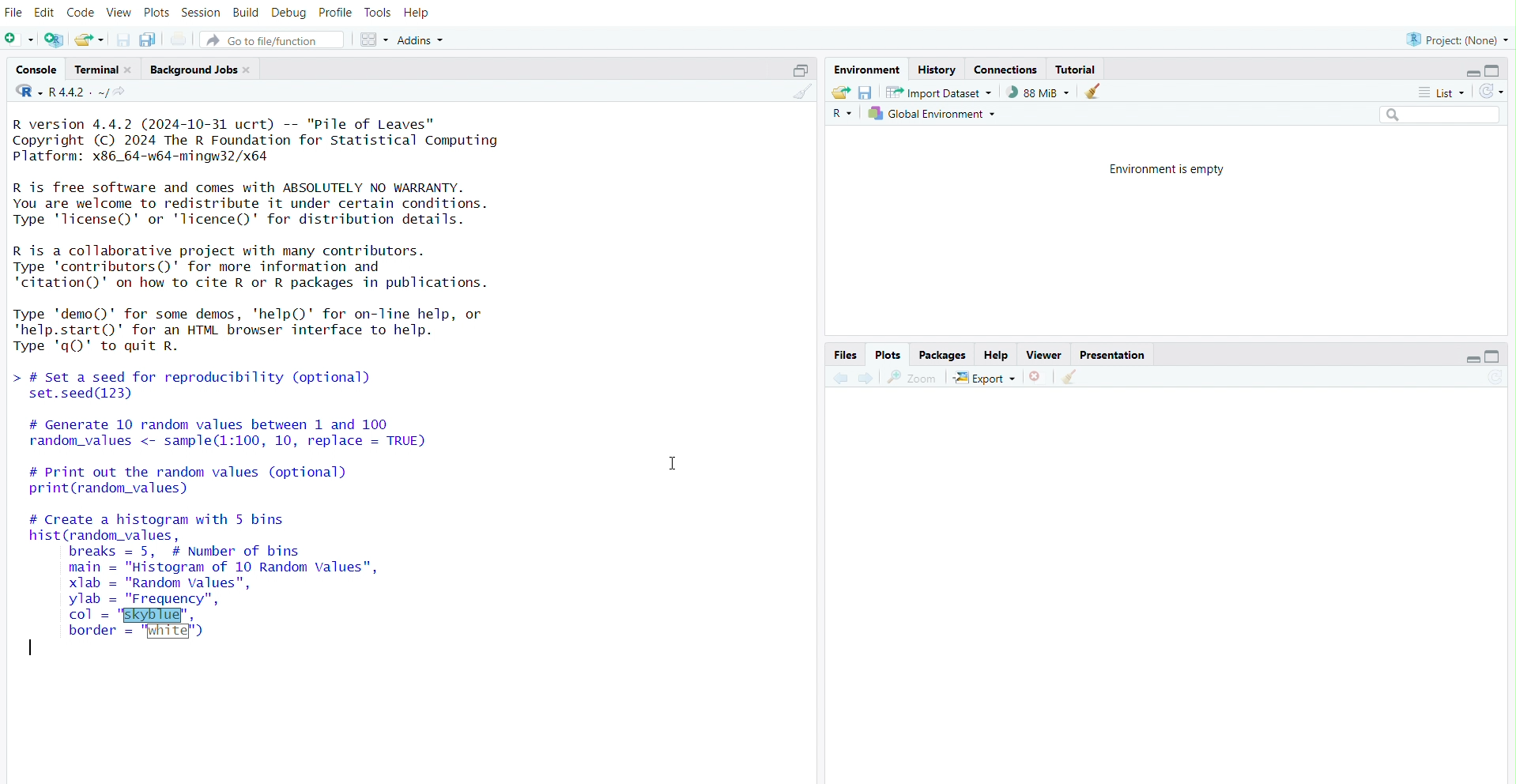 Image resolution: width=1516 pixels, height=784 pixels. What do you see at coordinates (1046, 355) in the screenshot?
I see `viewer` at bounding box center [1046, 355].